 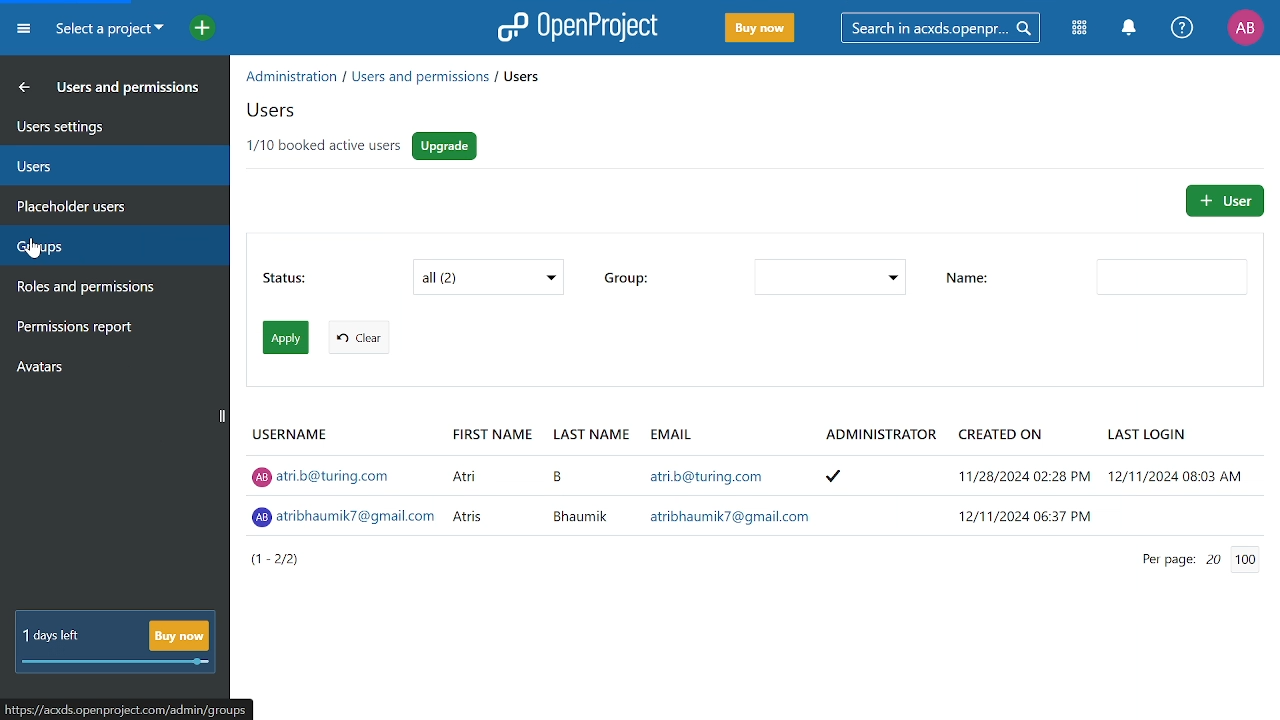 What do you see at coordinates (354, 338) in the screenshot?
I see `Clear` at bounding box center [354, 338].